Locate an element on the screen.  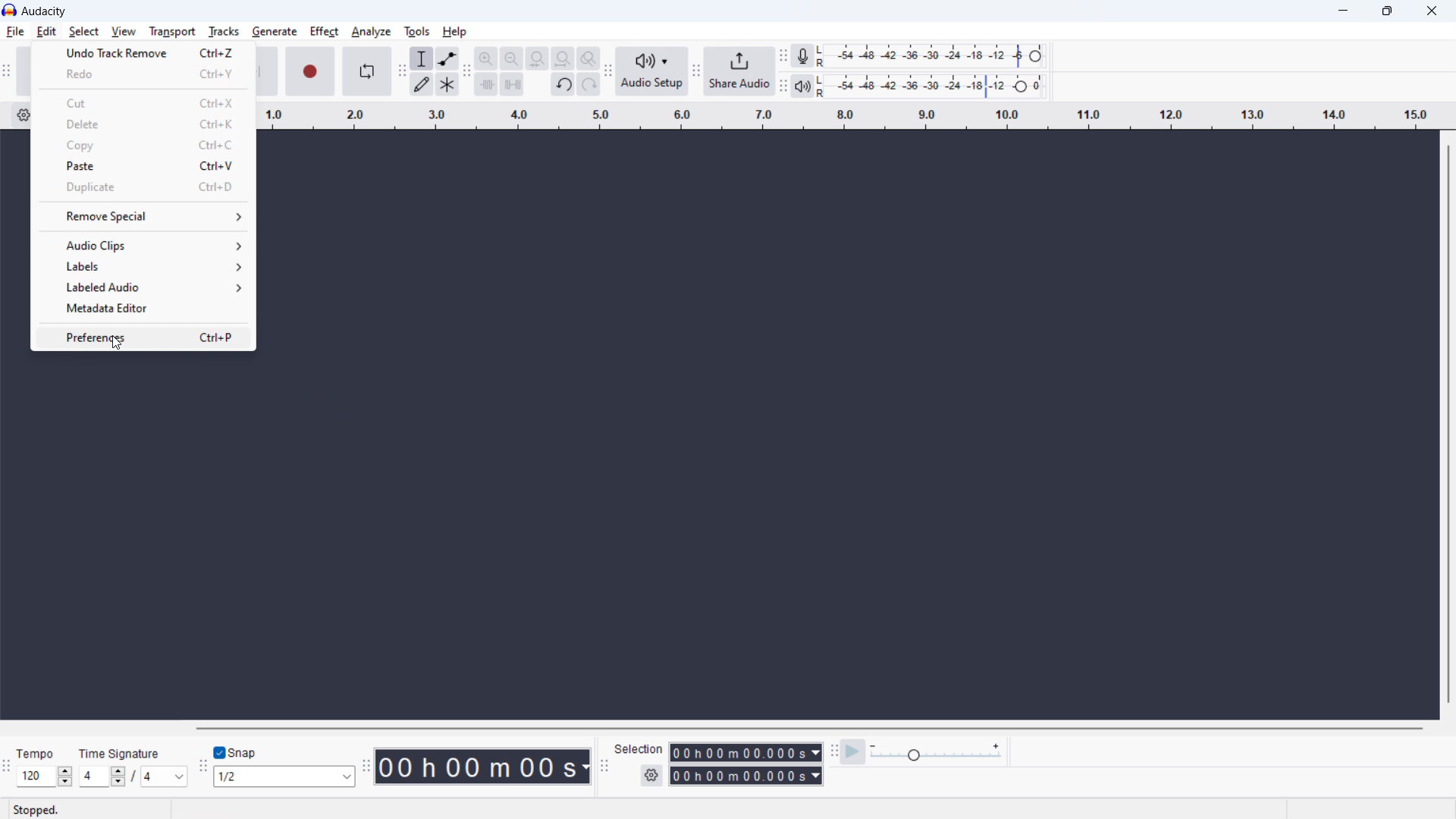
Selection is located at coordinates (639, 748).